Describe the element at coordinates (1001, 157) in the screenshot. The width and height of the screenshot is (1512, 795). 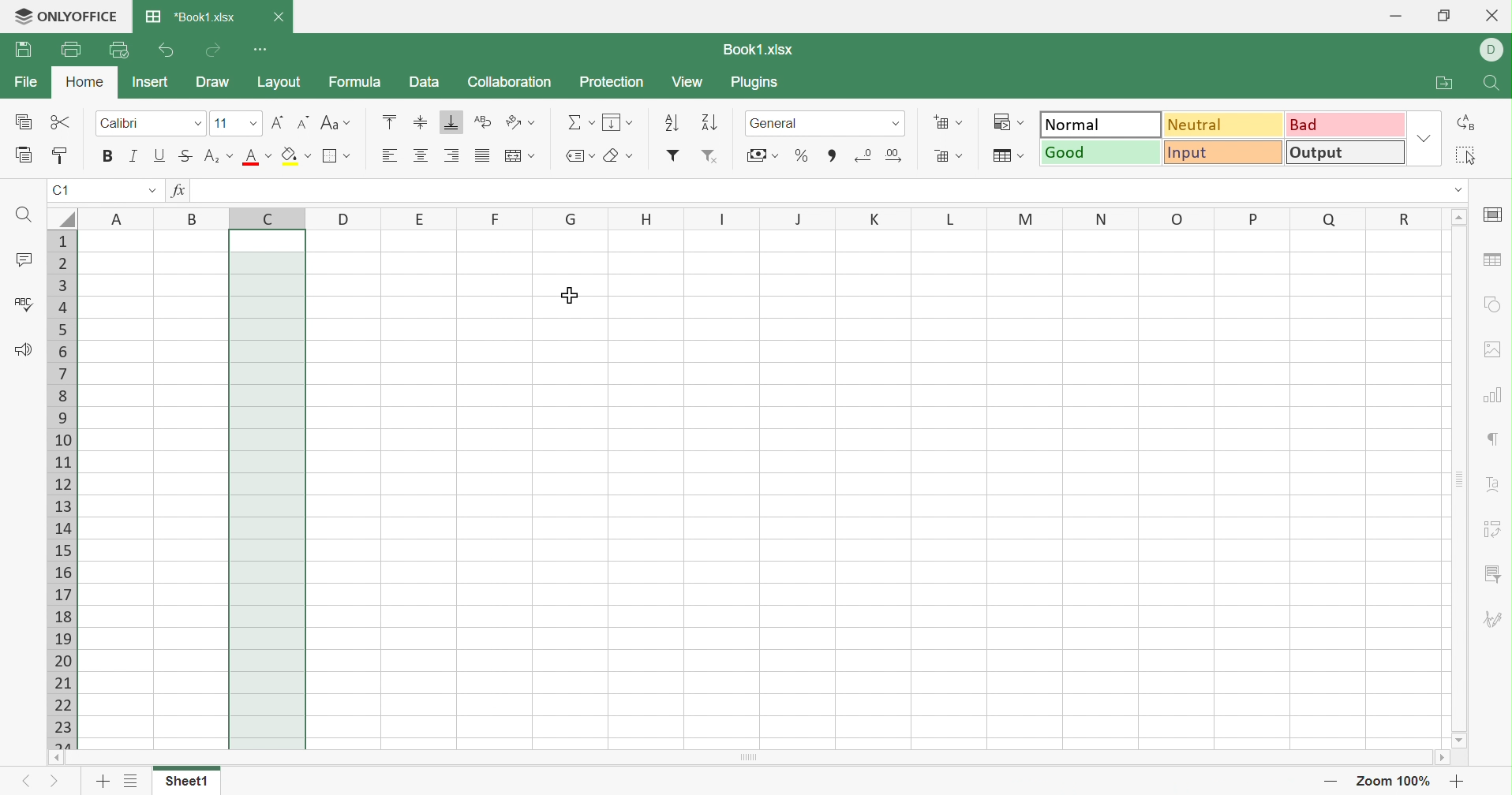
I see `Format as table template` at that location.